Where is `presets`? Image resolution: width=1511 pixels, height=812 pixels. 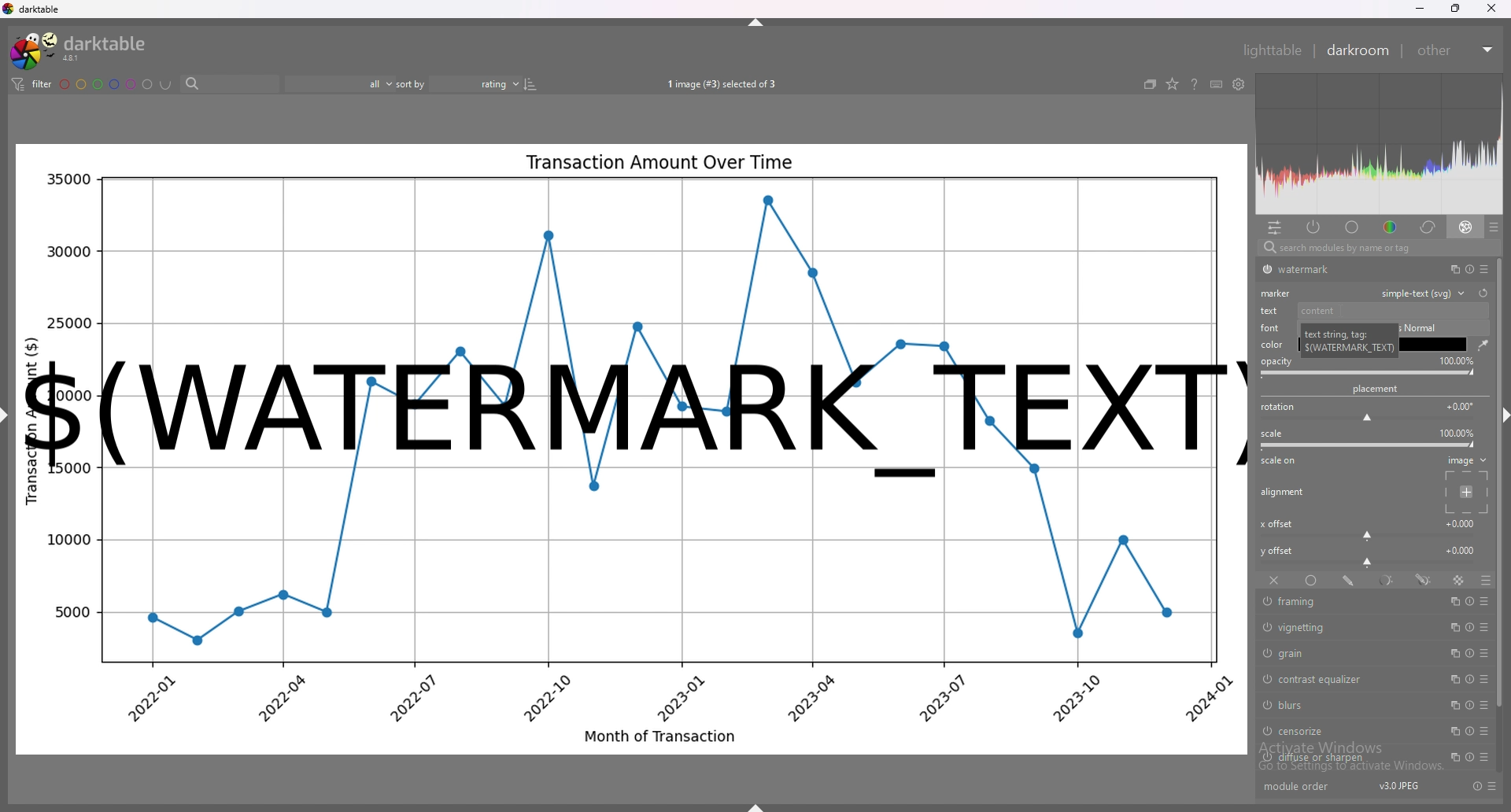
presets is located at coordinates (1485, 680).